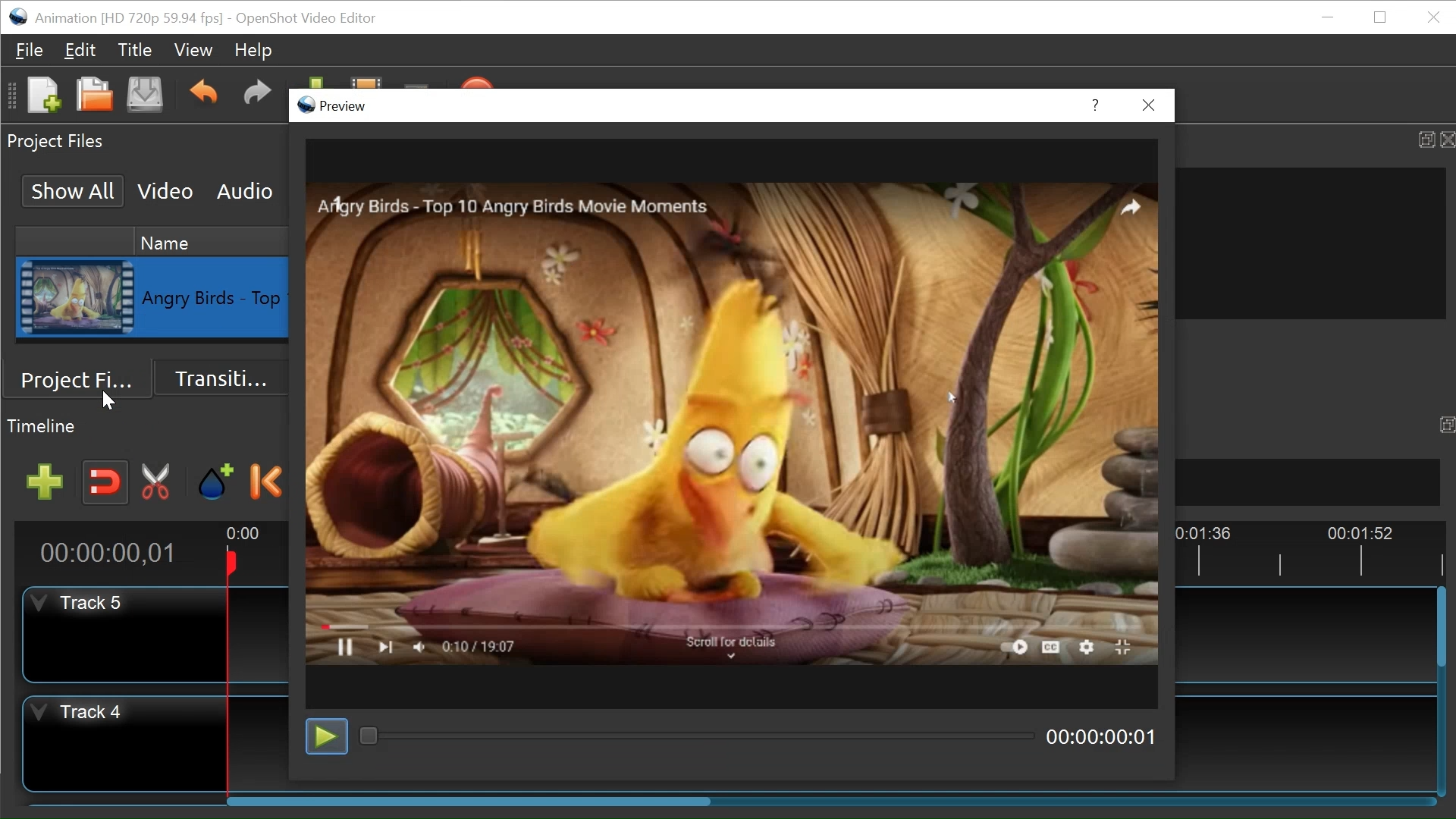 The width and height of the screenshot is (1456, 819). Describe the element at coordinates (306, 19) in the screenshot. I see `OpenShot Video Editor` at that location.